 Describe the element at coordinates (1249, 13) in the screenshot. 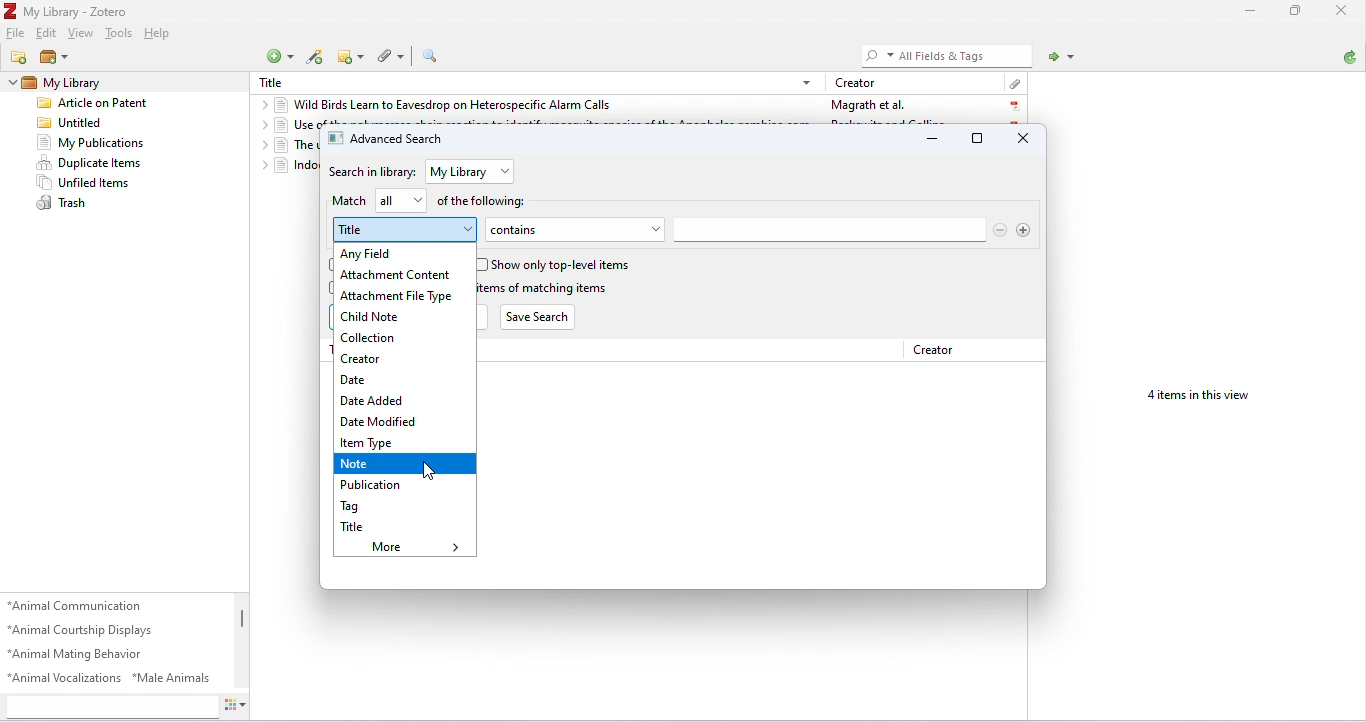

I see `minimize` at that location.